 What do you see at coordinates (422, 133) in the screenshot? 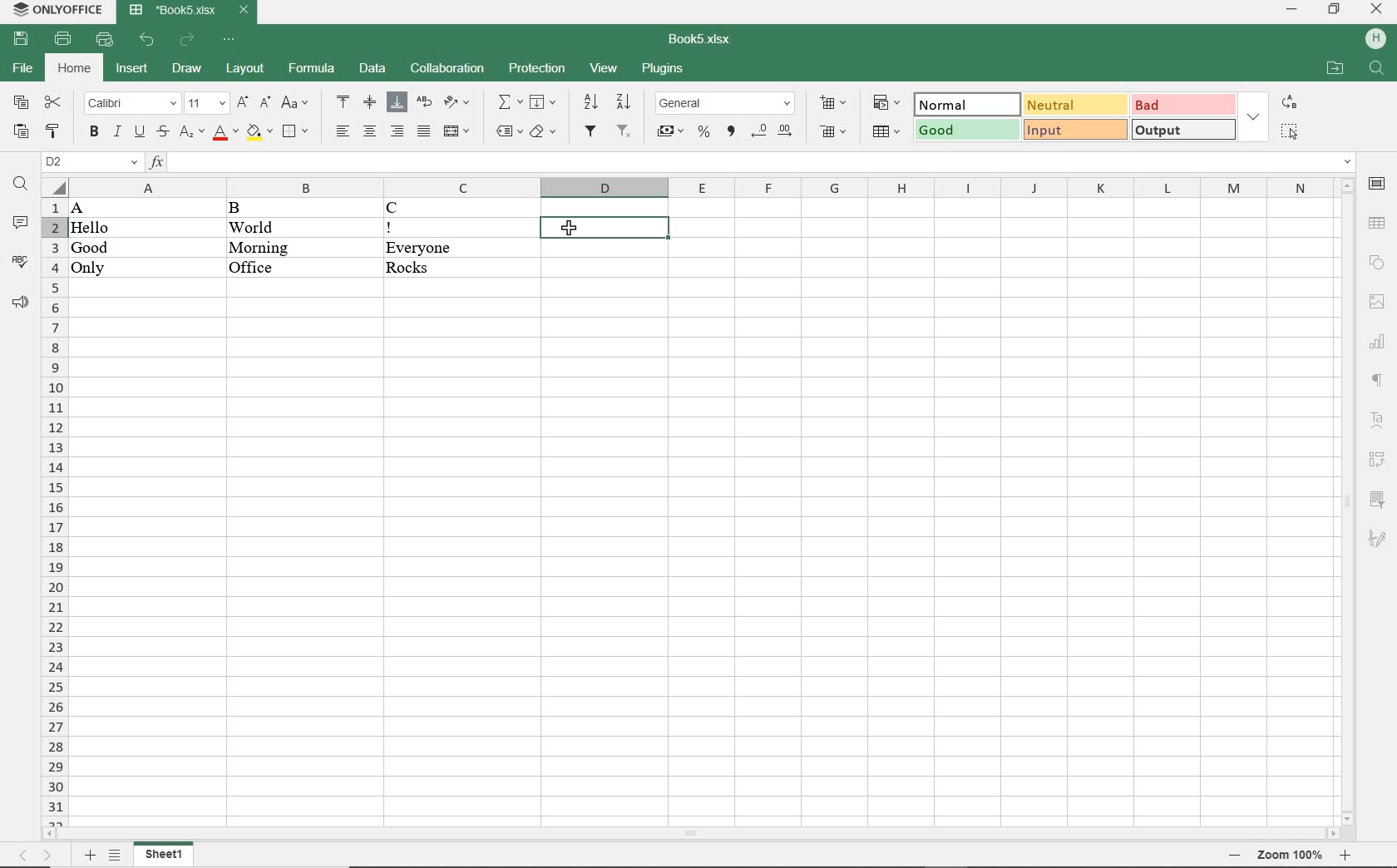
I see `JUSTIFIED` at bounding box center [422, 133].